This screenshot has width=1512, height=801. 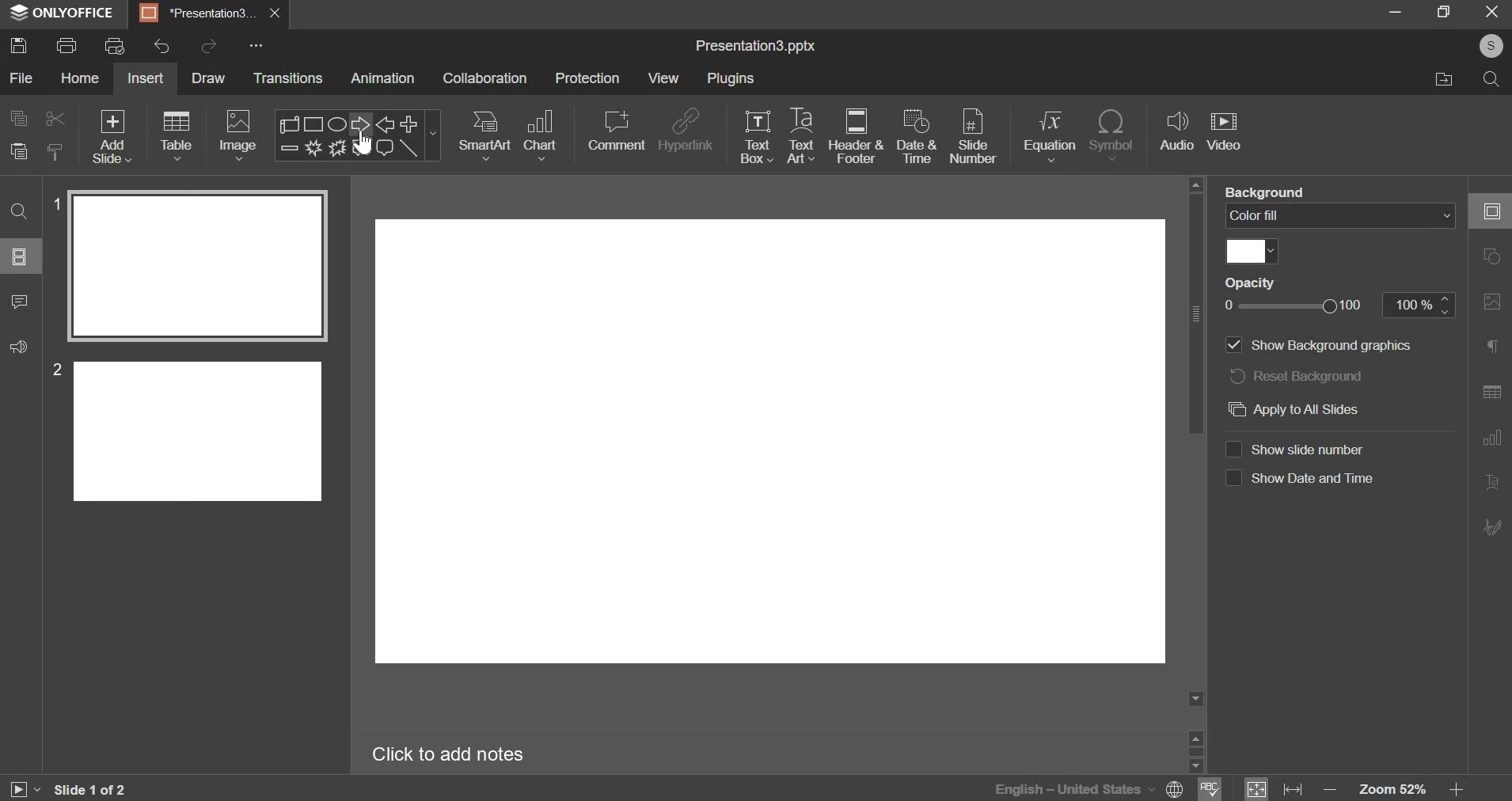 I want to click on zoom 52%, so click(x=1392, y=789).